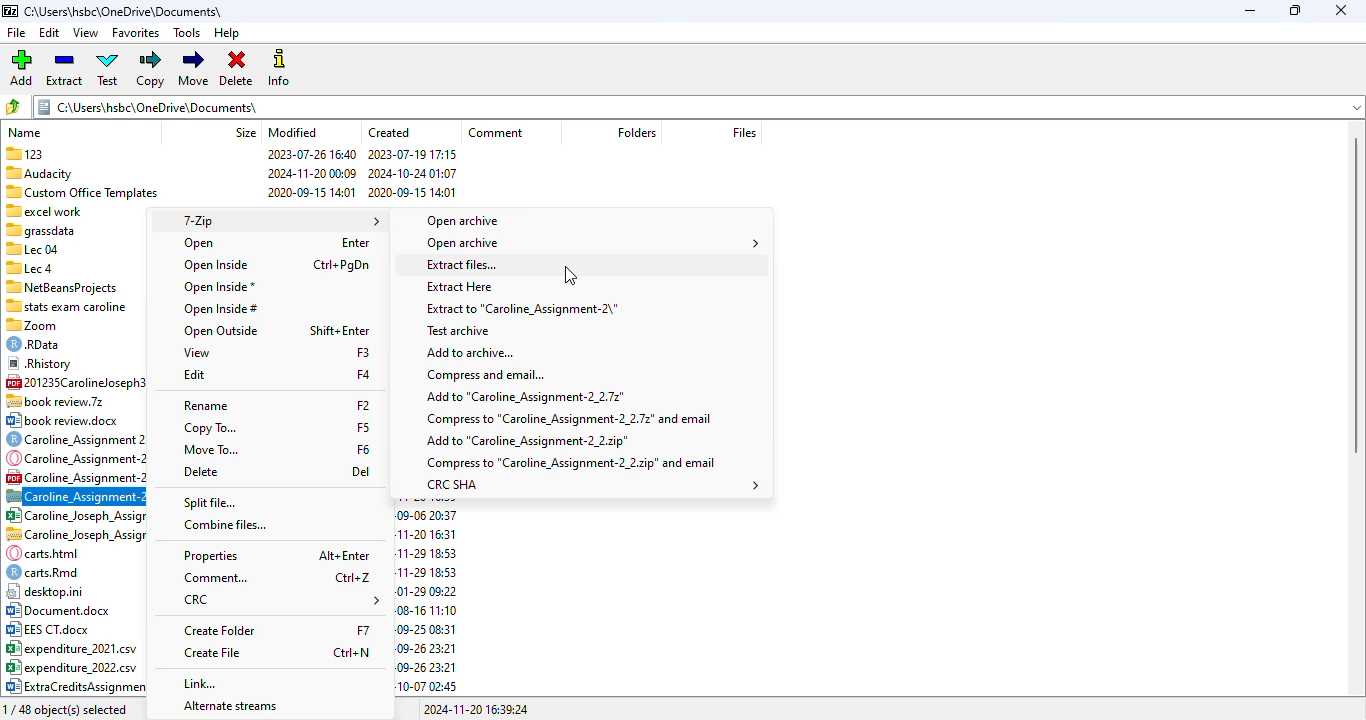 Image resolution: width=1366 pixels, height=720 pixels. What do you see at coordinates (72, 667) in the screenshot?
I see `expenditure 2022.csv 504 2023-10-06 15:41 2023-09-26 23:21` at bounding box center [72, 667].